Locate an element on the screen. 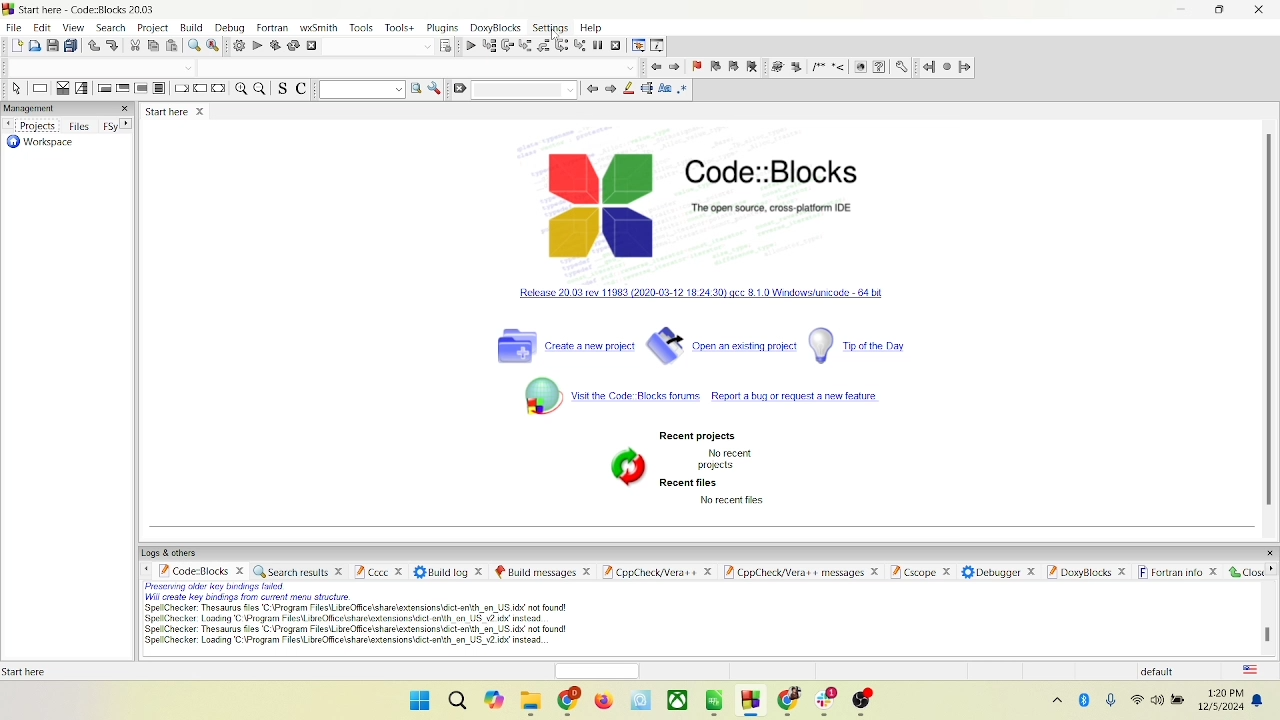 This screenshot has height=720, width=1280. blank space is located at coordinates (419, 66).